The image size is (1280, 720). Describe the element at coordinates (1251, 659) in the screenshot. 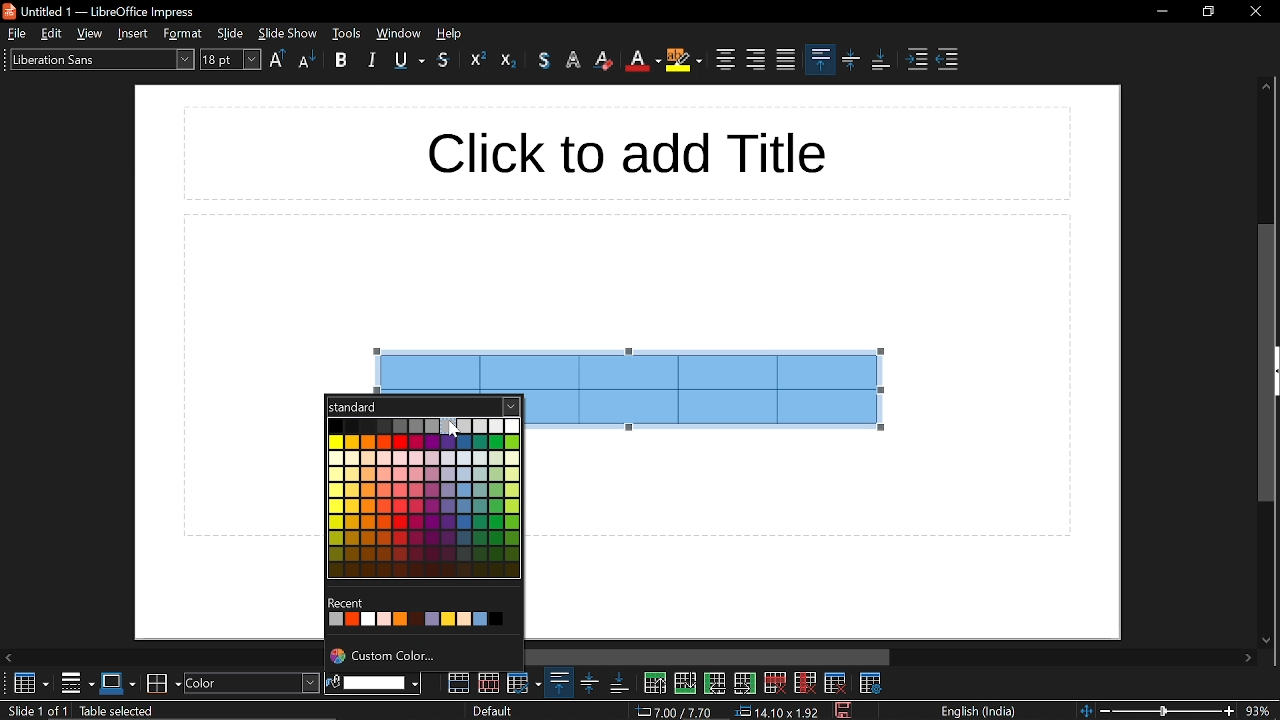

I see `move right` at that location.